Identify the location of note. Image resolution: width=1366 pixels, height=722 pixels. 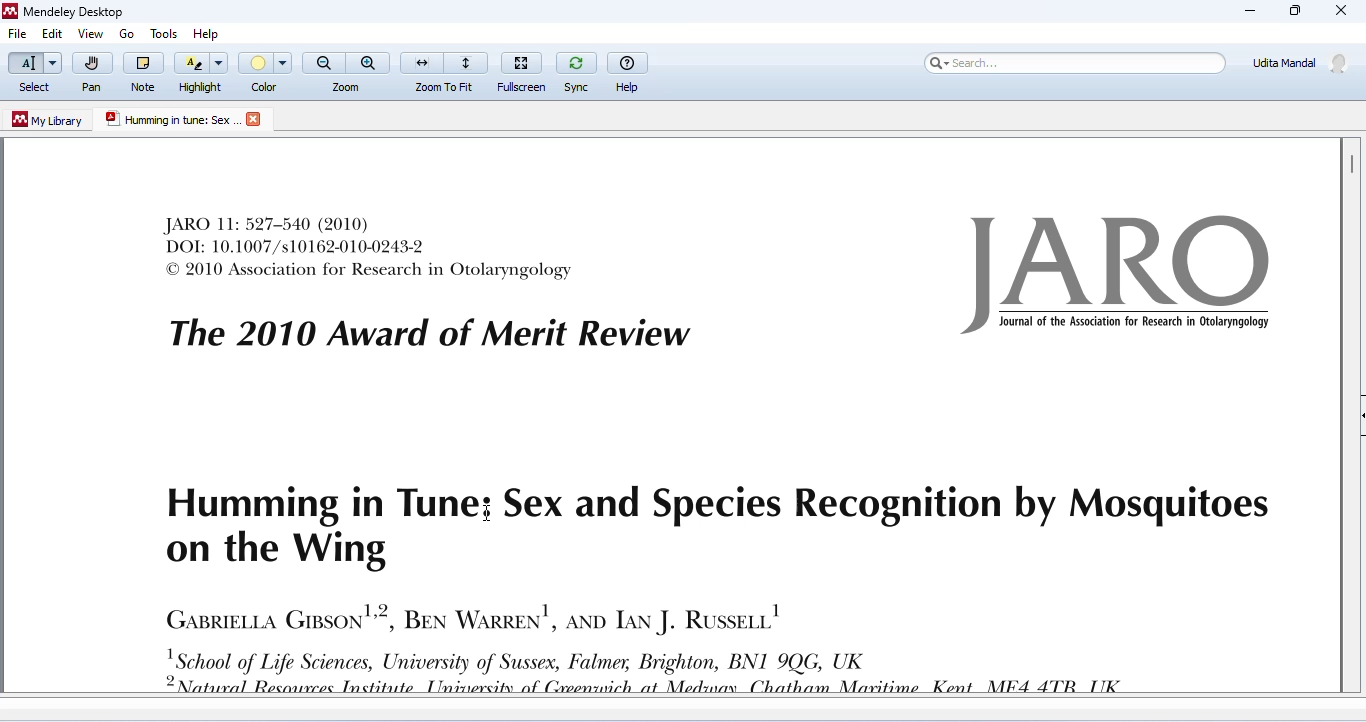
(143, 71).